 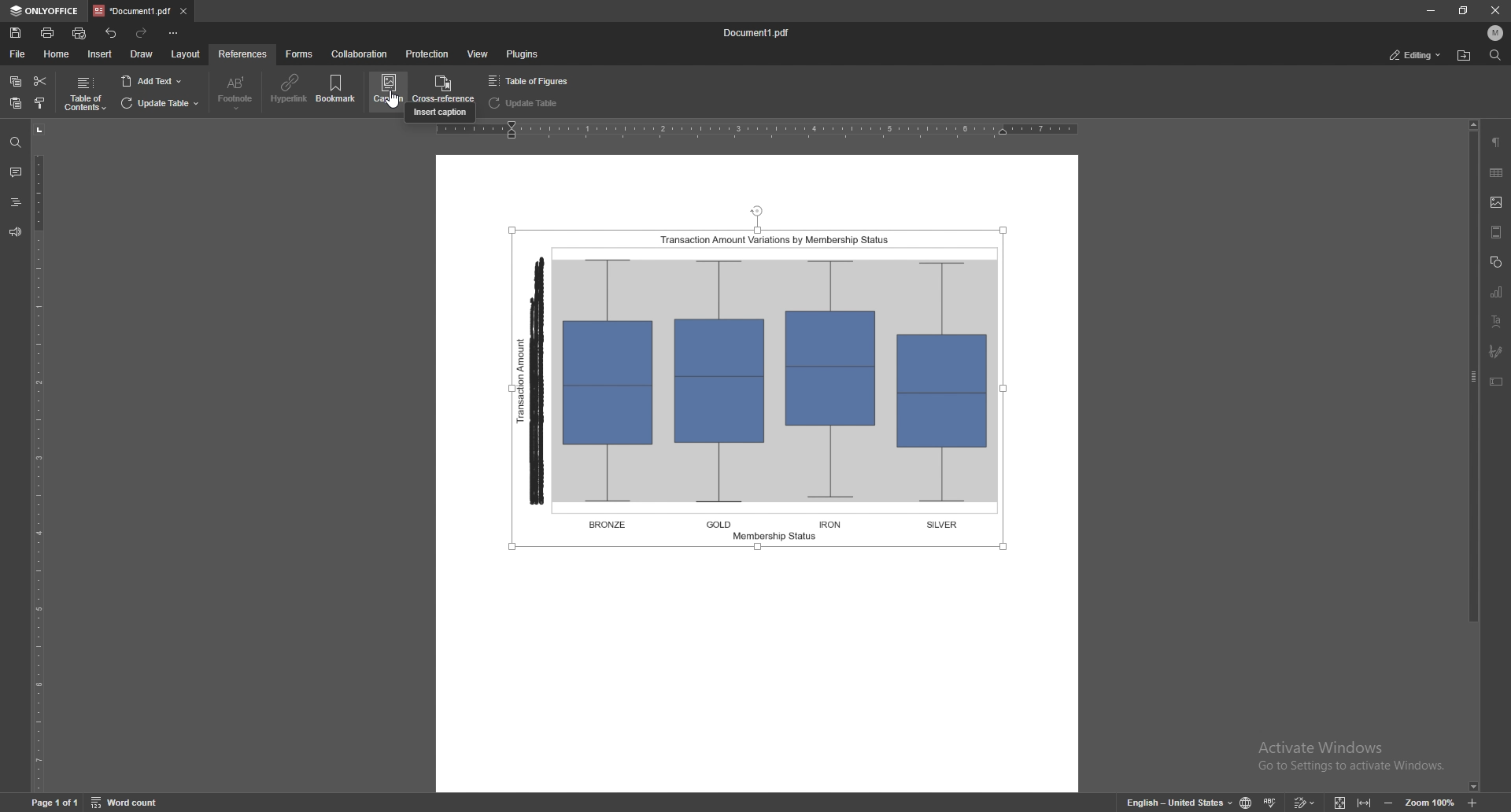 What do you see at coordinates (100, 54) in the screenshot?
I see `insert` at bounding box center [100, 54].